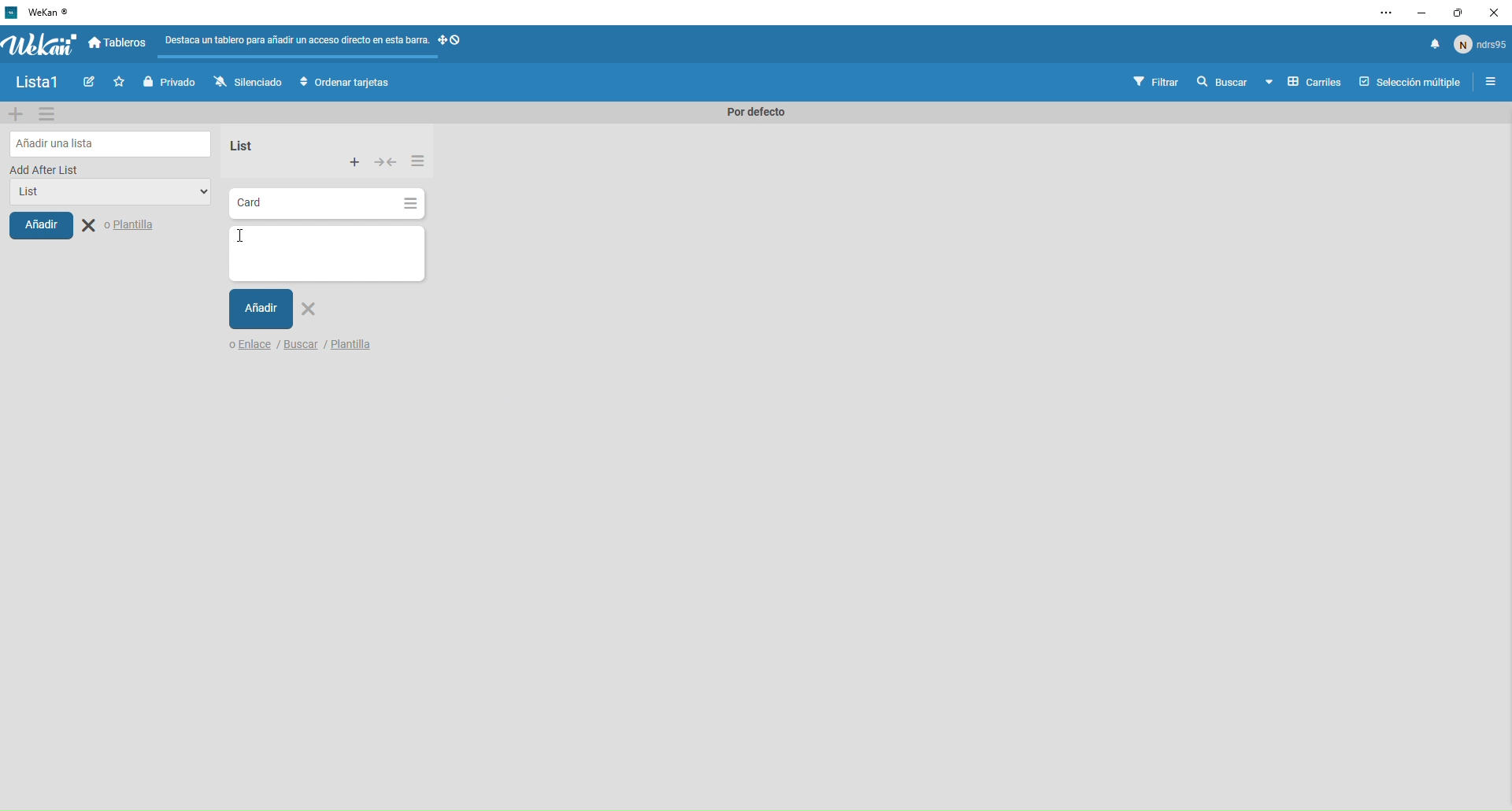 This screenshot has width=1512, height=811. I want to click on Multiple Selection, so click(1412, 83).